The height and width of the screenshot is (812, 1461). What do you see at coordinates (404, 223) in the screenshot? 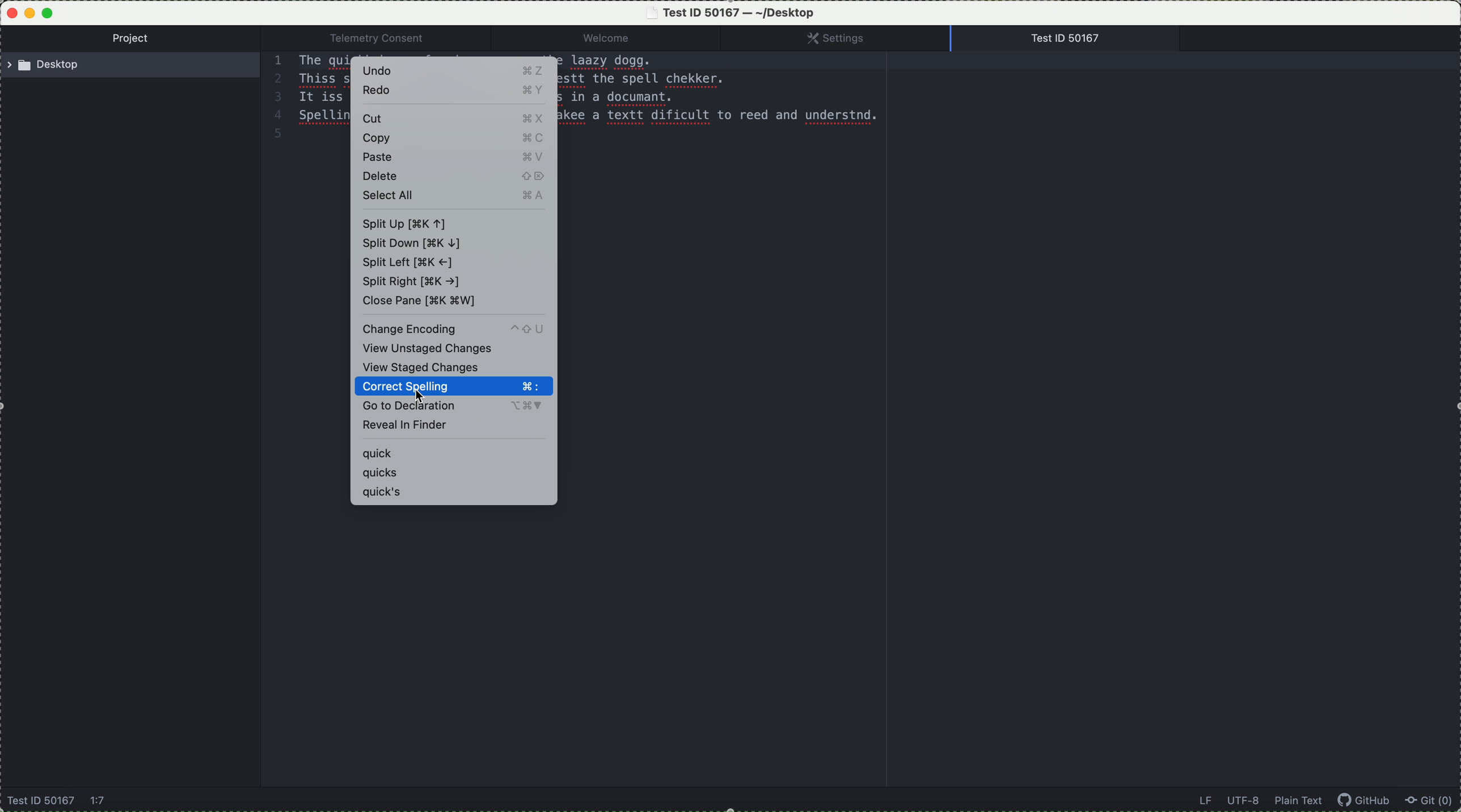
I see `split up` at bounding box center [404, 223].